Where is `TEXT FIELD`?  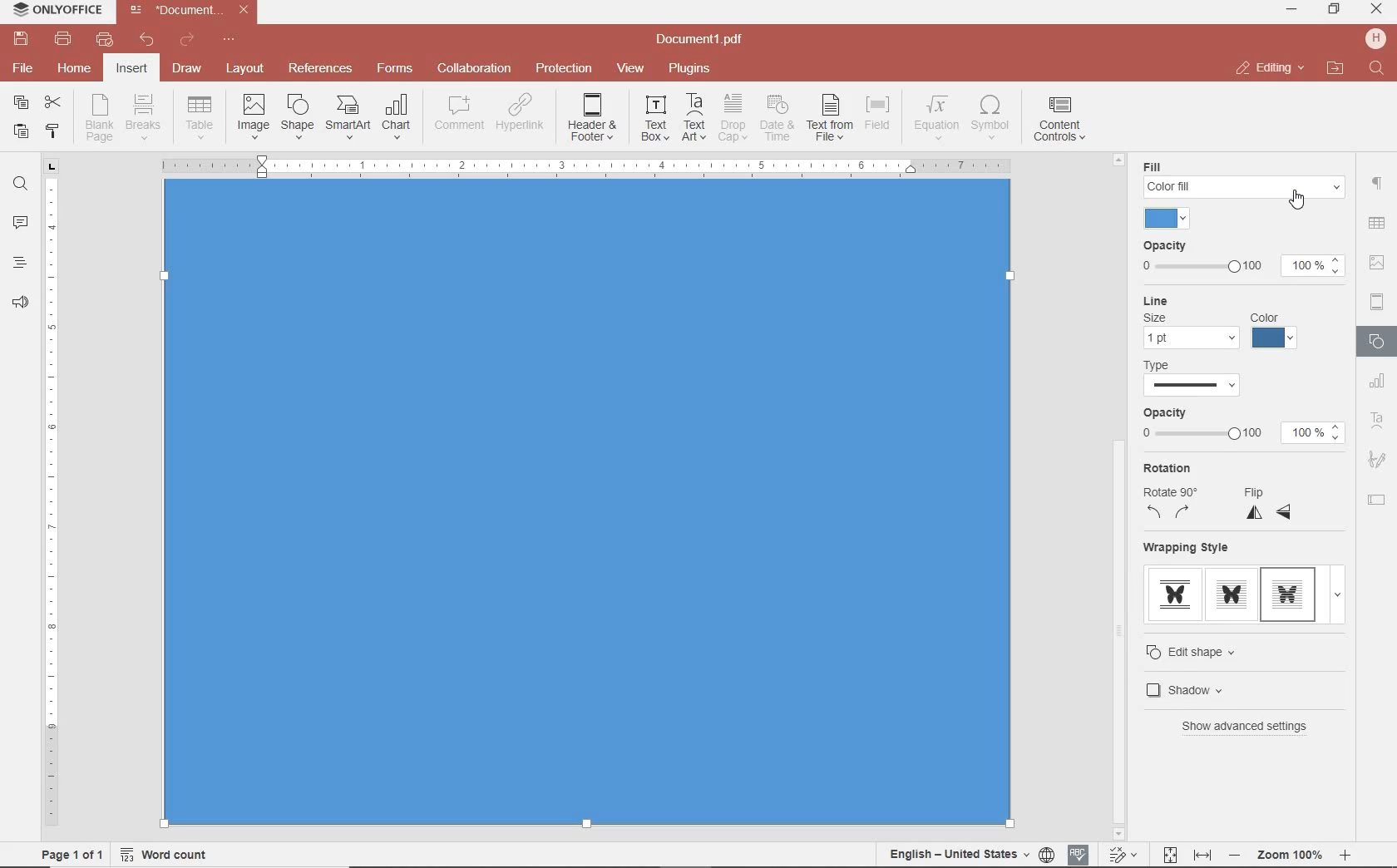
TEXT FIELD is located at coordinates (1377, 499).